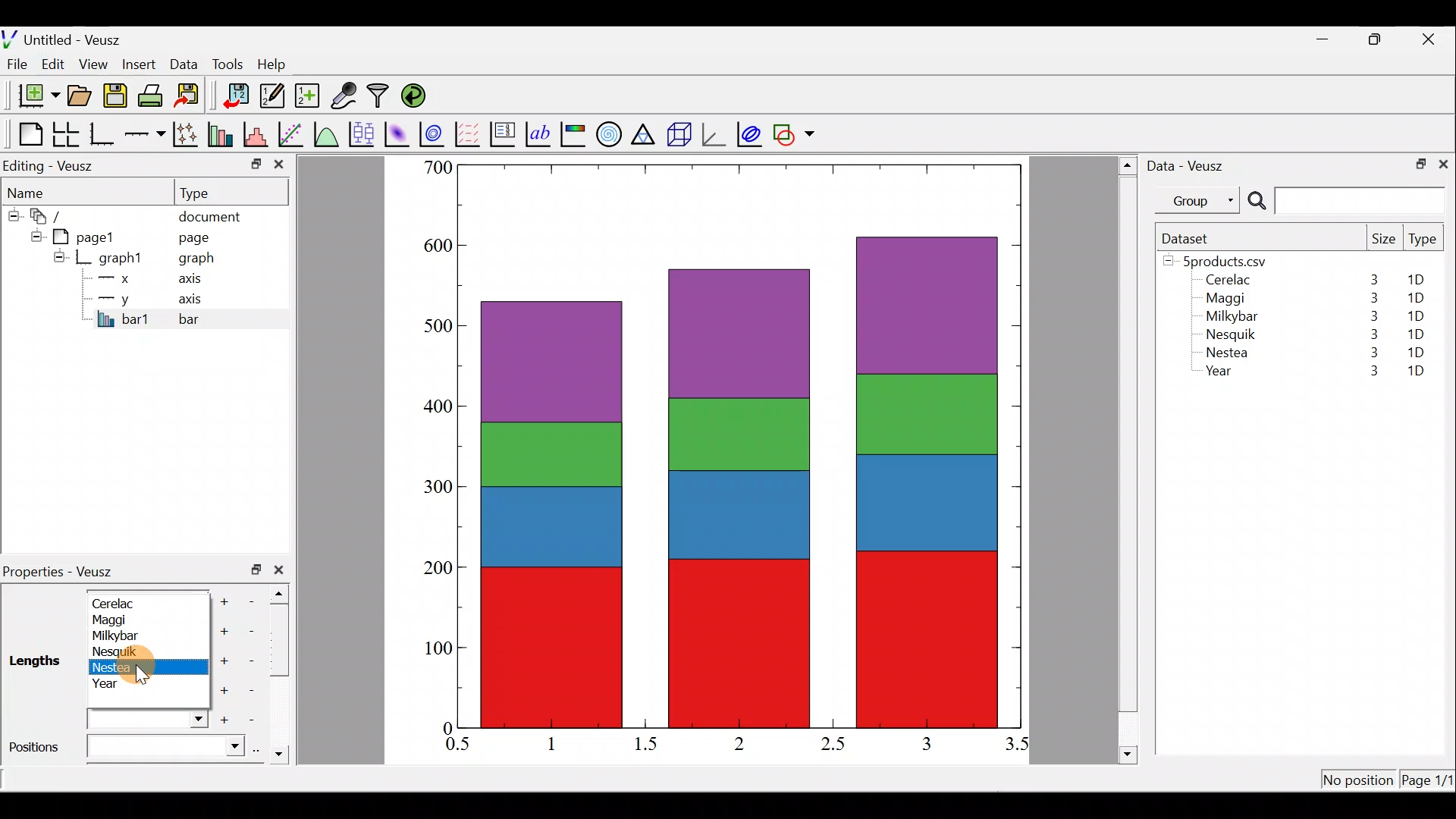  What do you see at coordinates (64, 572) in the screenshot?
I see `Properties - Veusz` at bounding box center [64, 572].